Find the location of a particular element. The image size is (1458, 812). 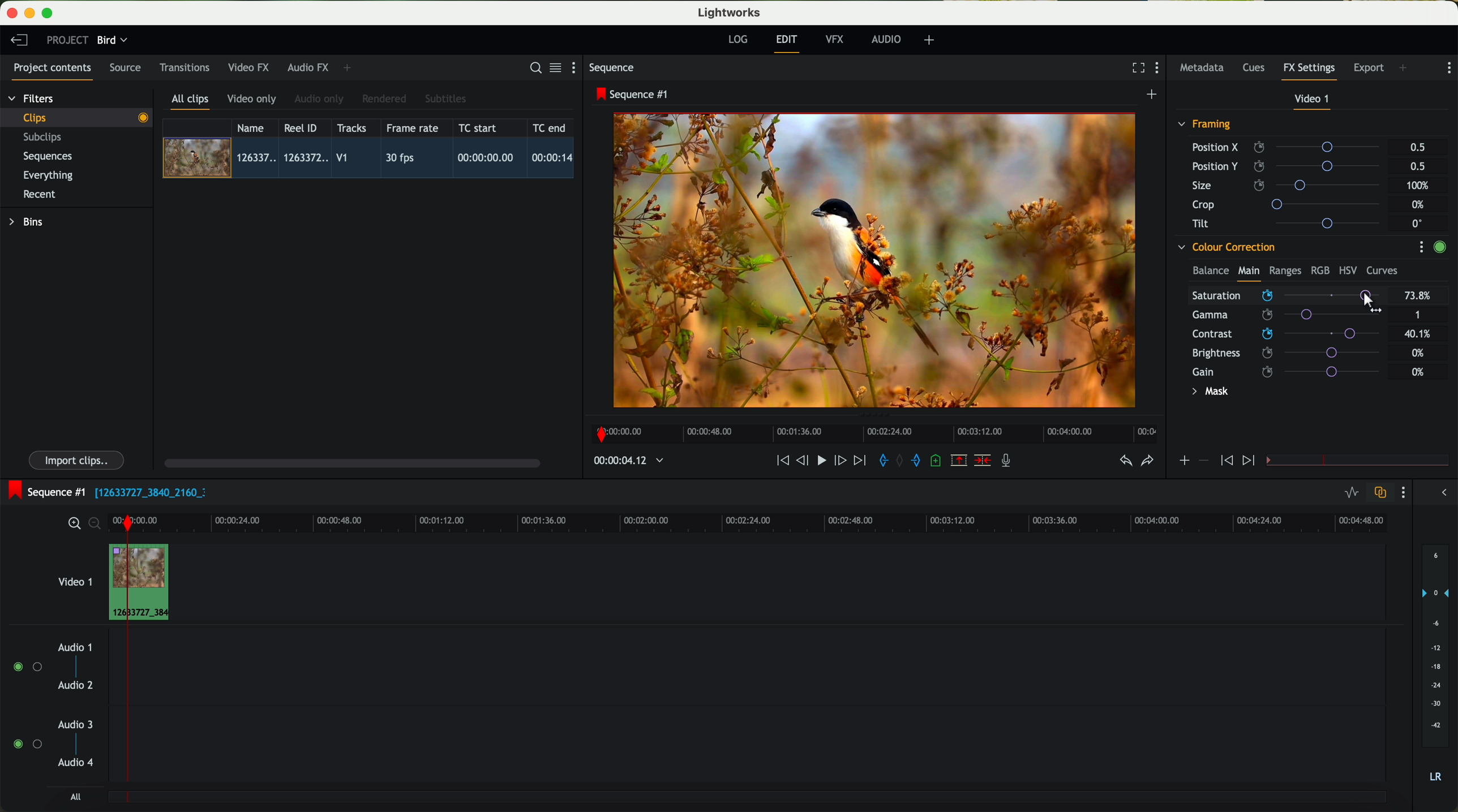

maximize program is located at coordinates (49, 14).